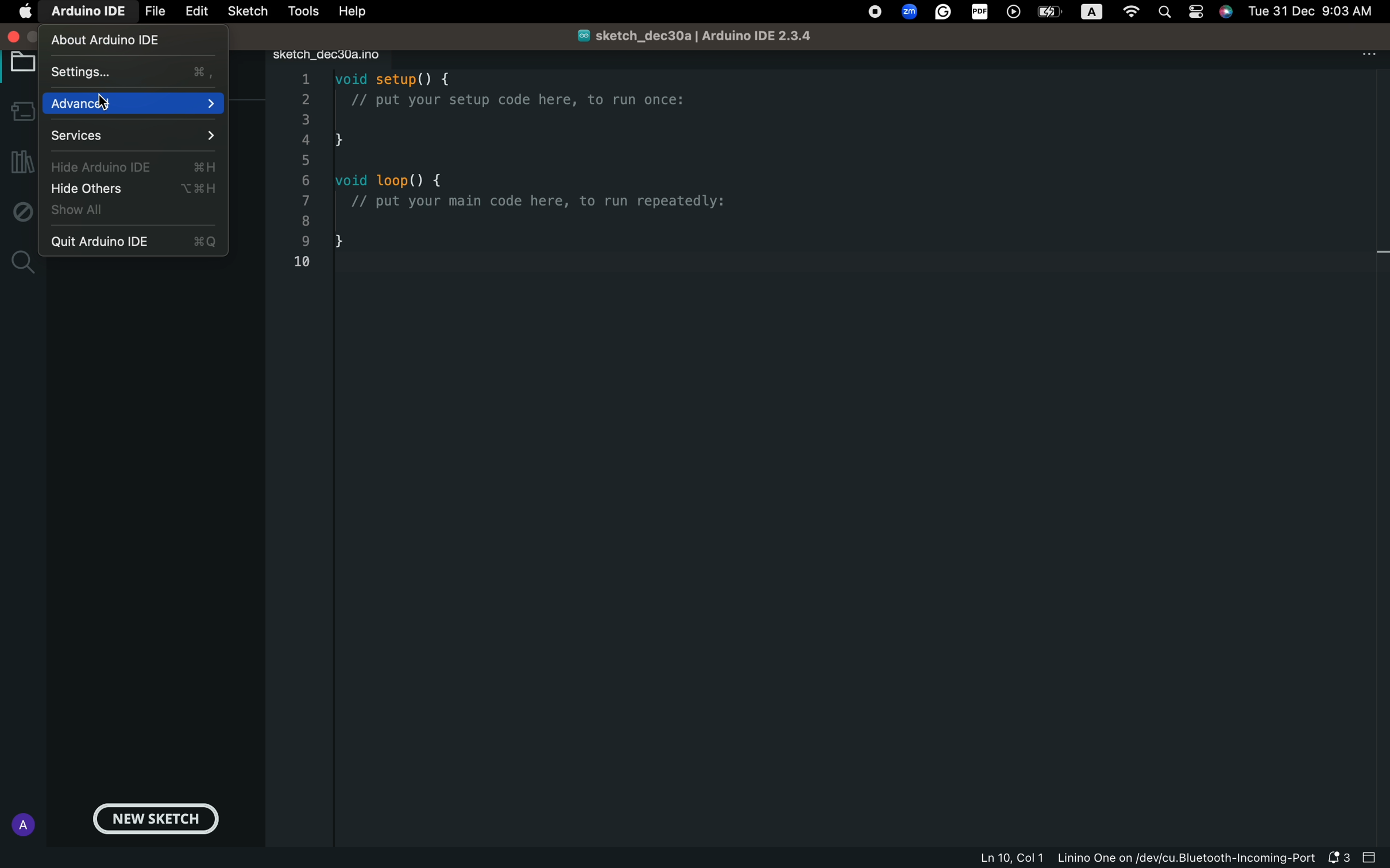 This screenshot has height=868, width=1390. What do you see at coordinates (537, 180) in the screenshot?
I see `code` at bounding box center [537, 180].